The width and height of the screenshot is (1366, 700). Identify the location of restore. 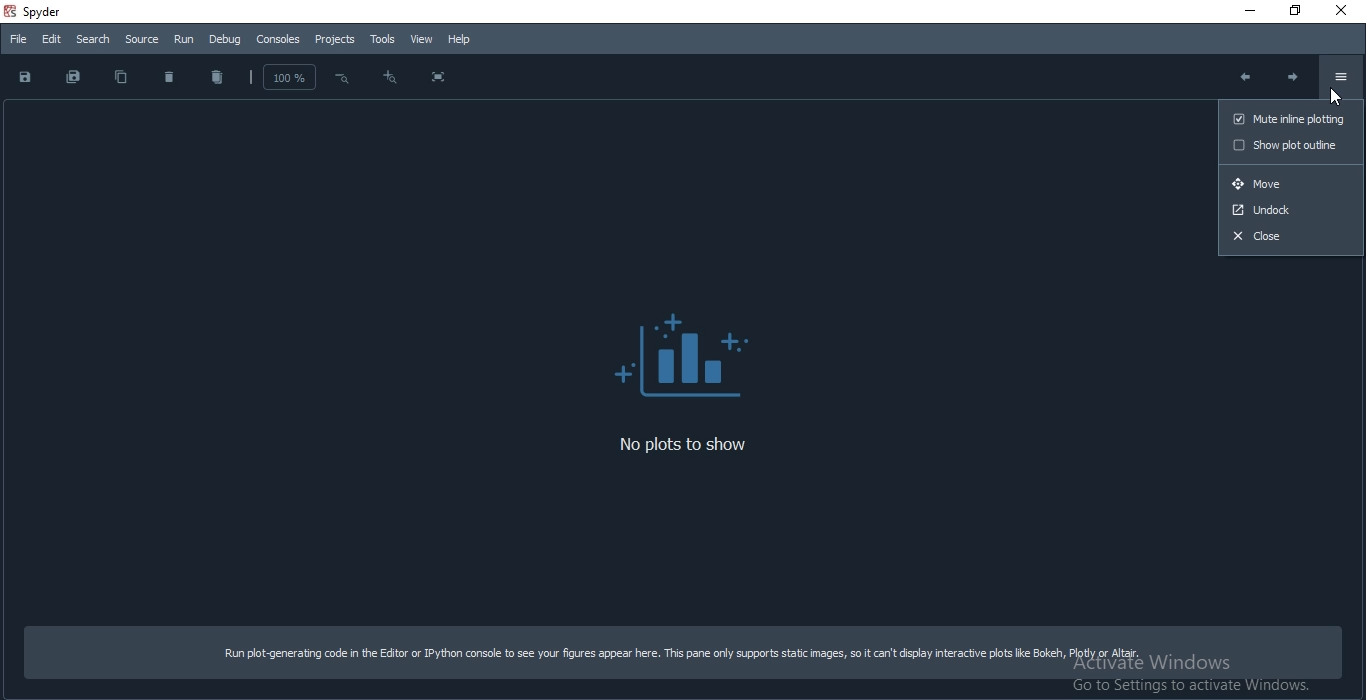
(1289, 12).